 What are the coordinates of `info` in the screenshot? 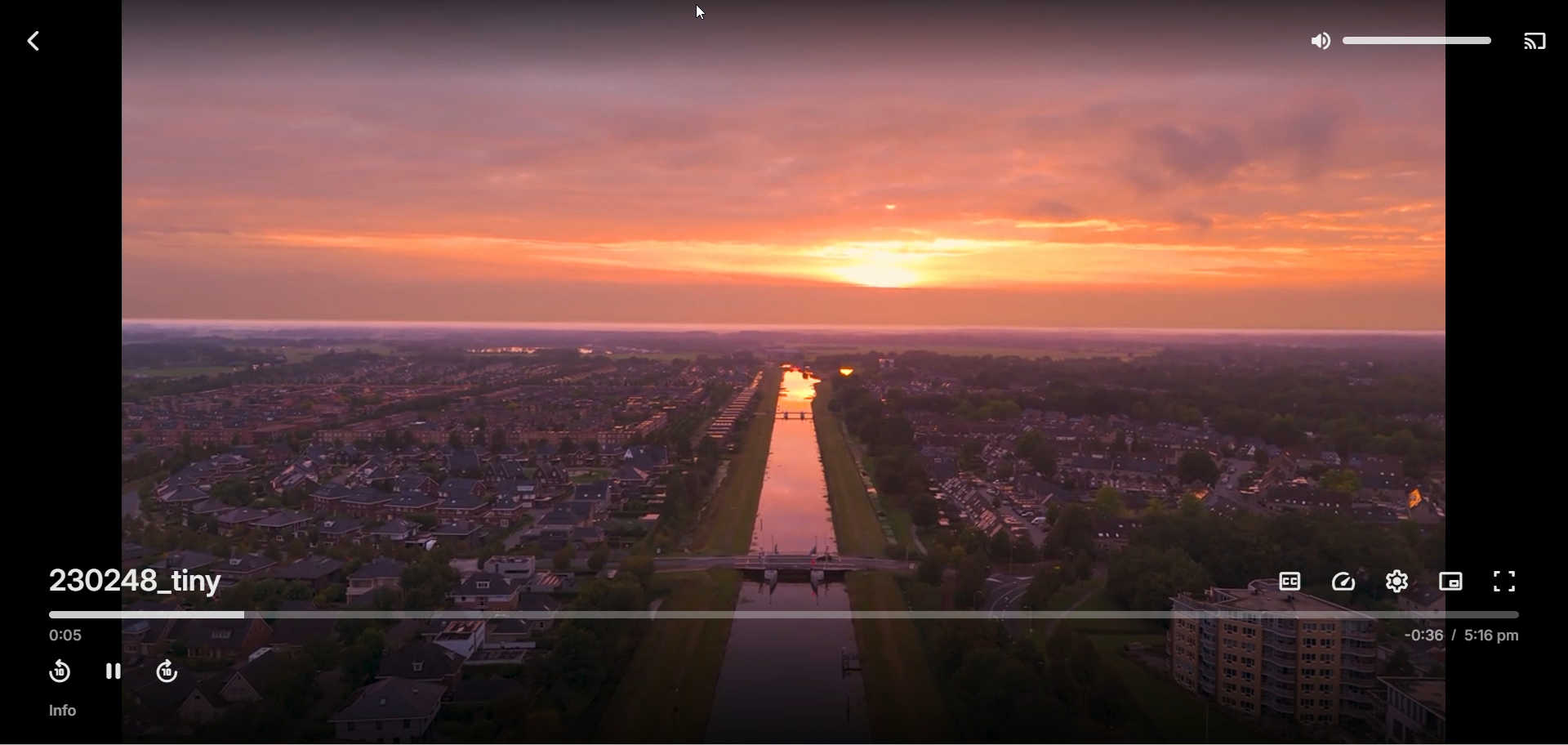 It's located at (67, 710).